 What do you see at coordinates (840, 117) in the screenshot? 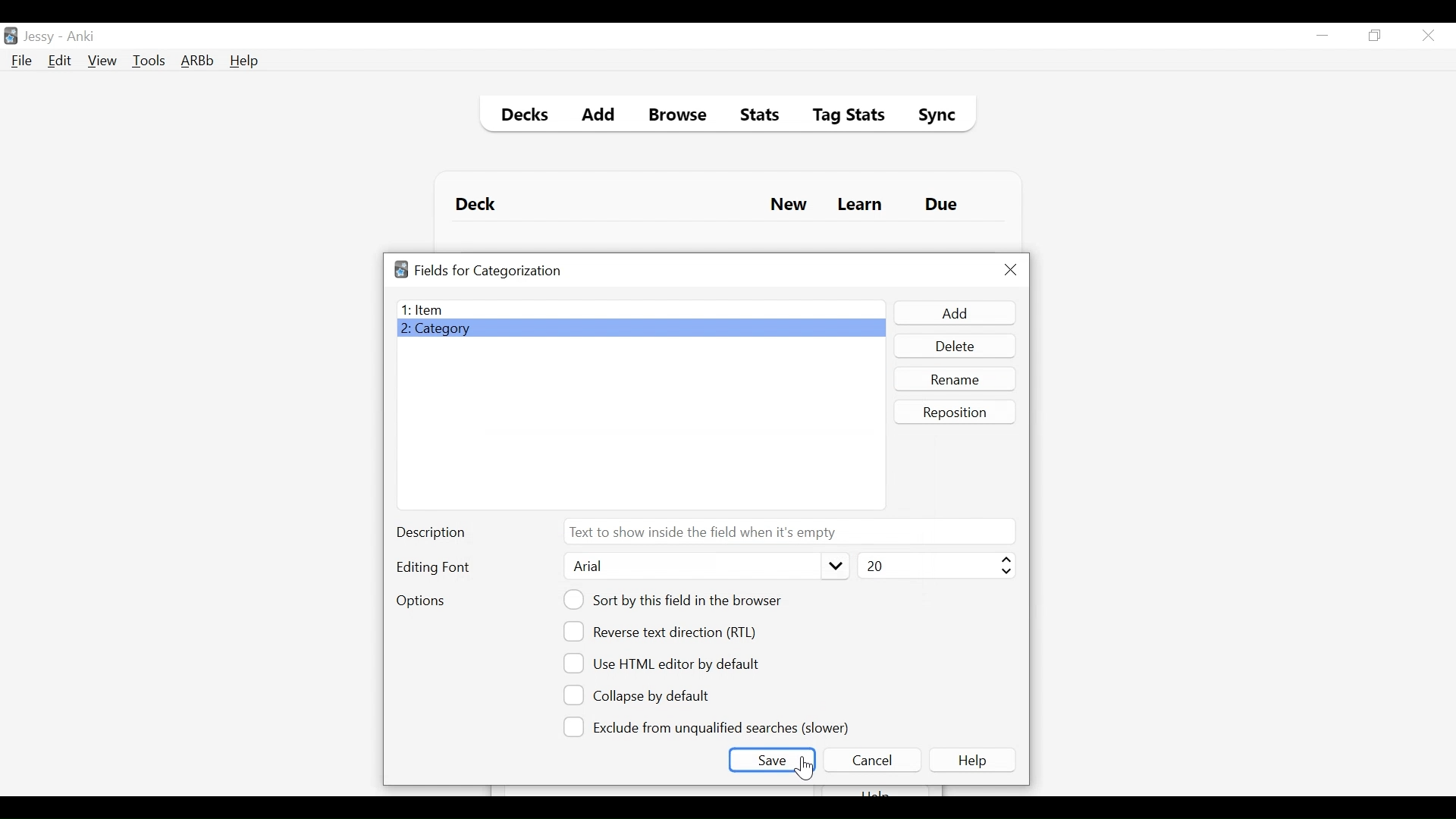
I see `Tag Stats` at bounding box center [840, 117].